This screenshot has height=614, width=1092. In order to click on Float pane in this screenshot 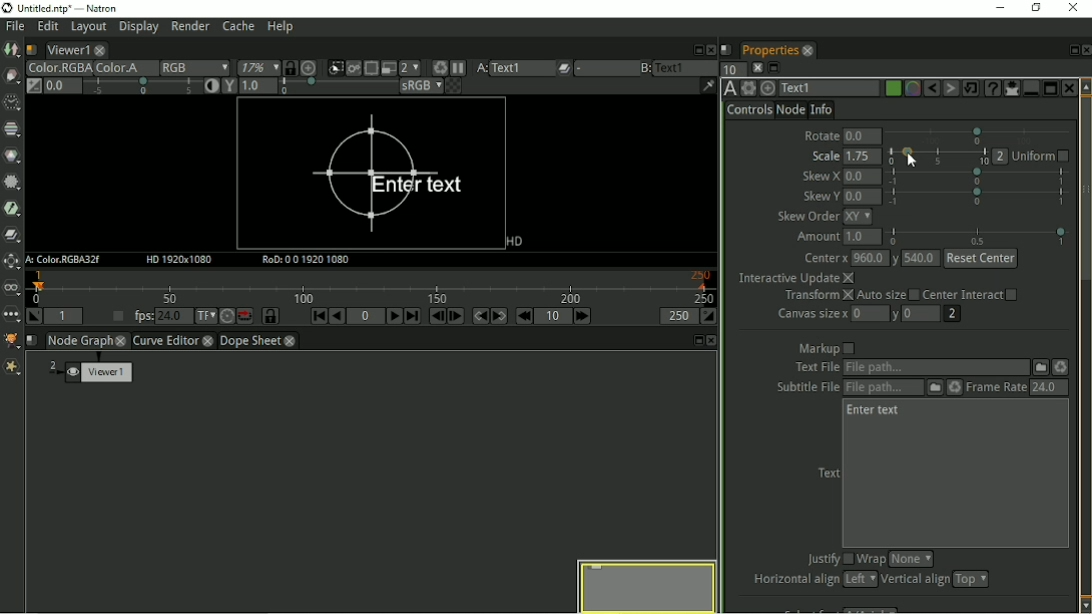, I will do `click(694, 49)`.